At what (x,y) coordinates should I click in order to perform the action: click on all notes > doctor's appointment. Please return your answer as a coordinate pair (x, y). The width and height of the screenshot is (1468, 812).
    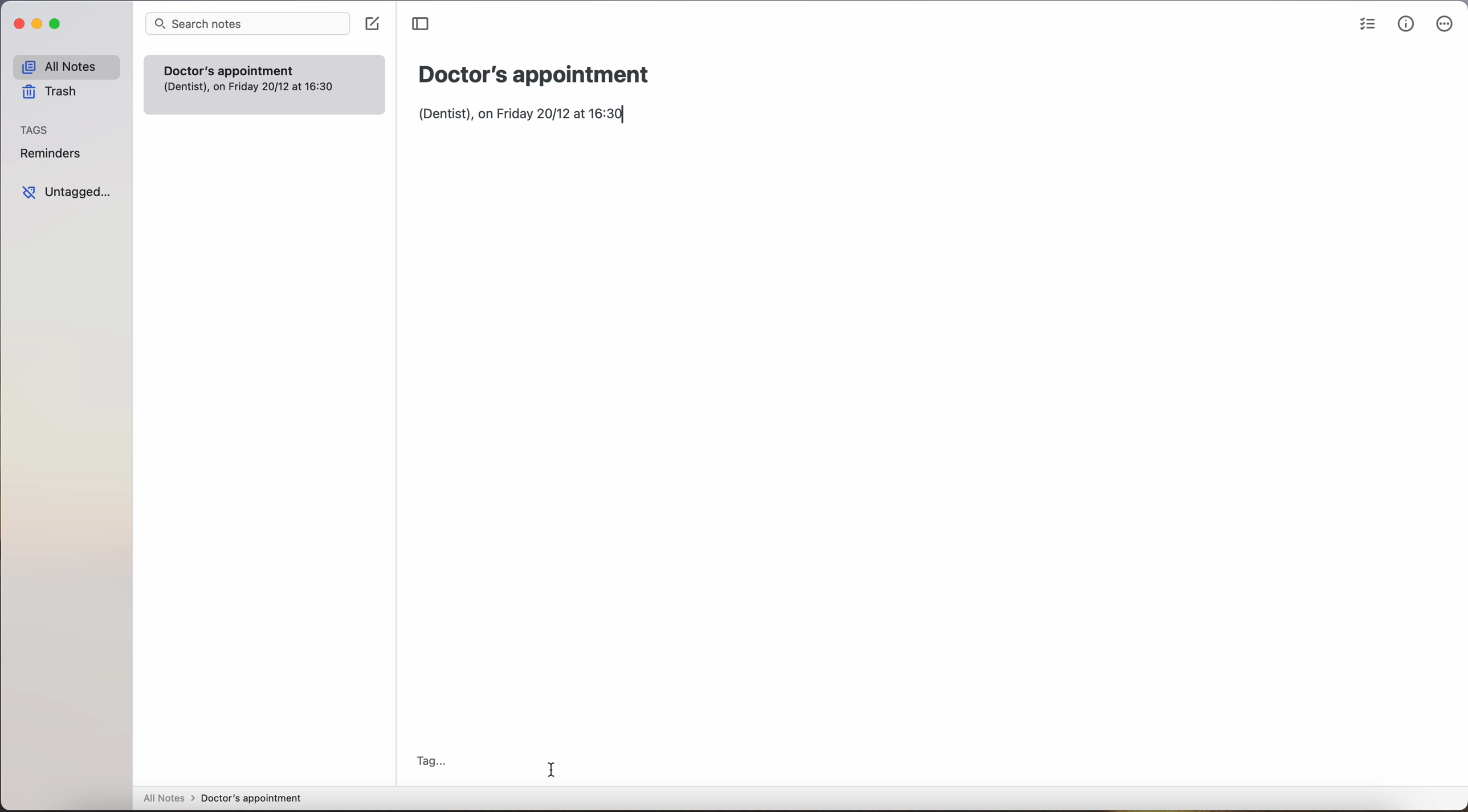
    Looking at the image, I should click on (222, 799).